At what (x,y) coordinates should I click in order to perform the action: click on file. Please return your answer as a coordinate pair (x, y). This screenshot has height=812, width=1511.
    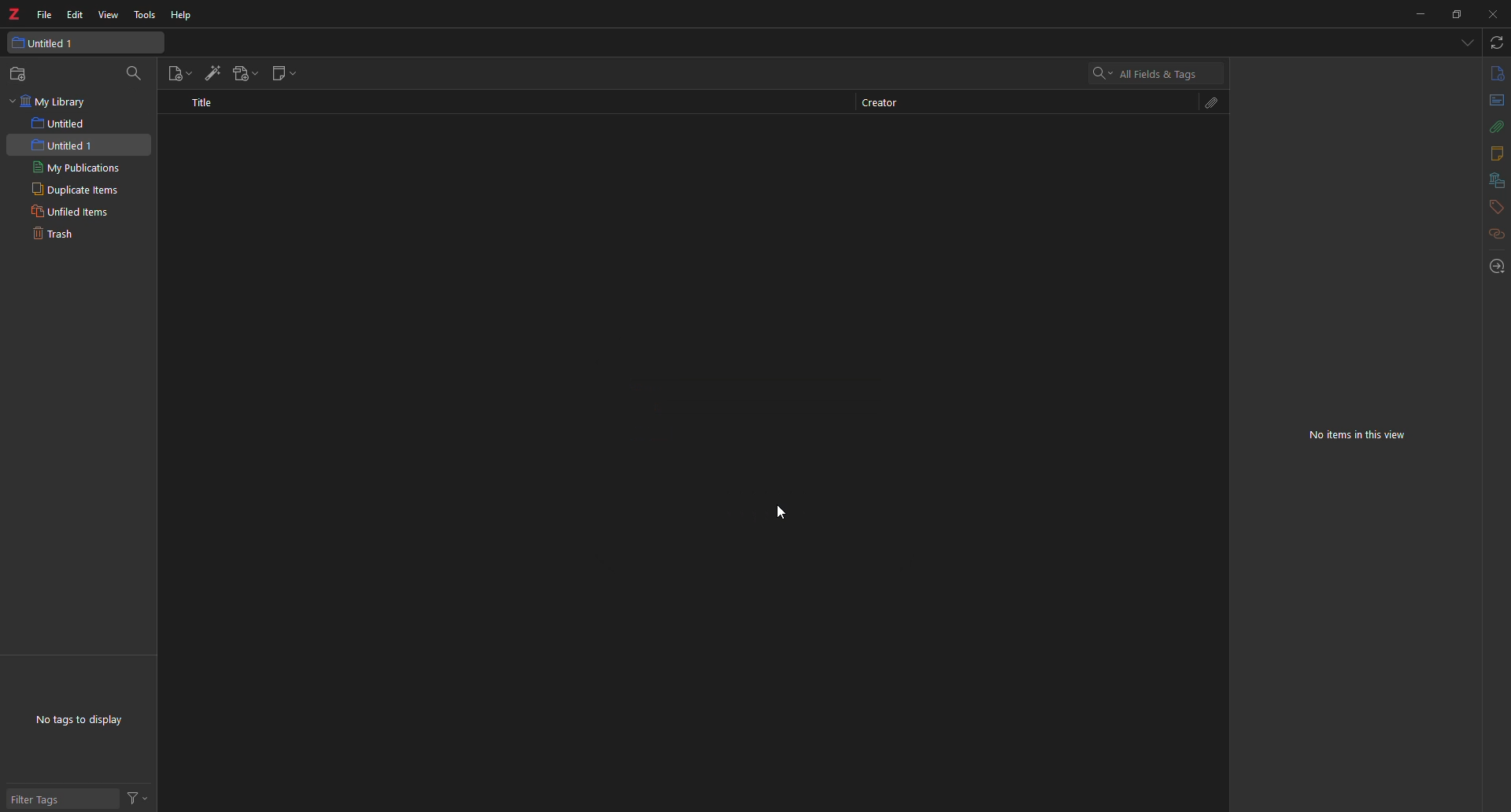
    Looking at the image, I should click on (45, 12).